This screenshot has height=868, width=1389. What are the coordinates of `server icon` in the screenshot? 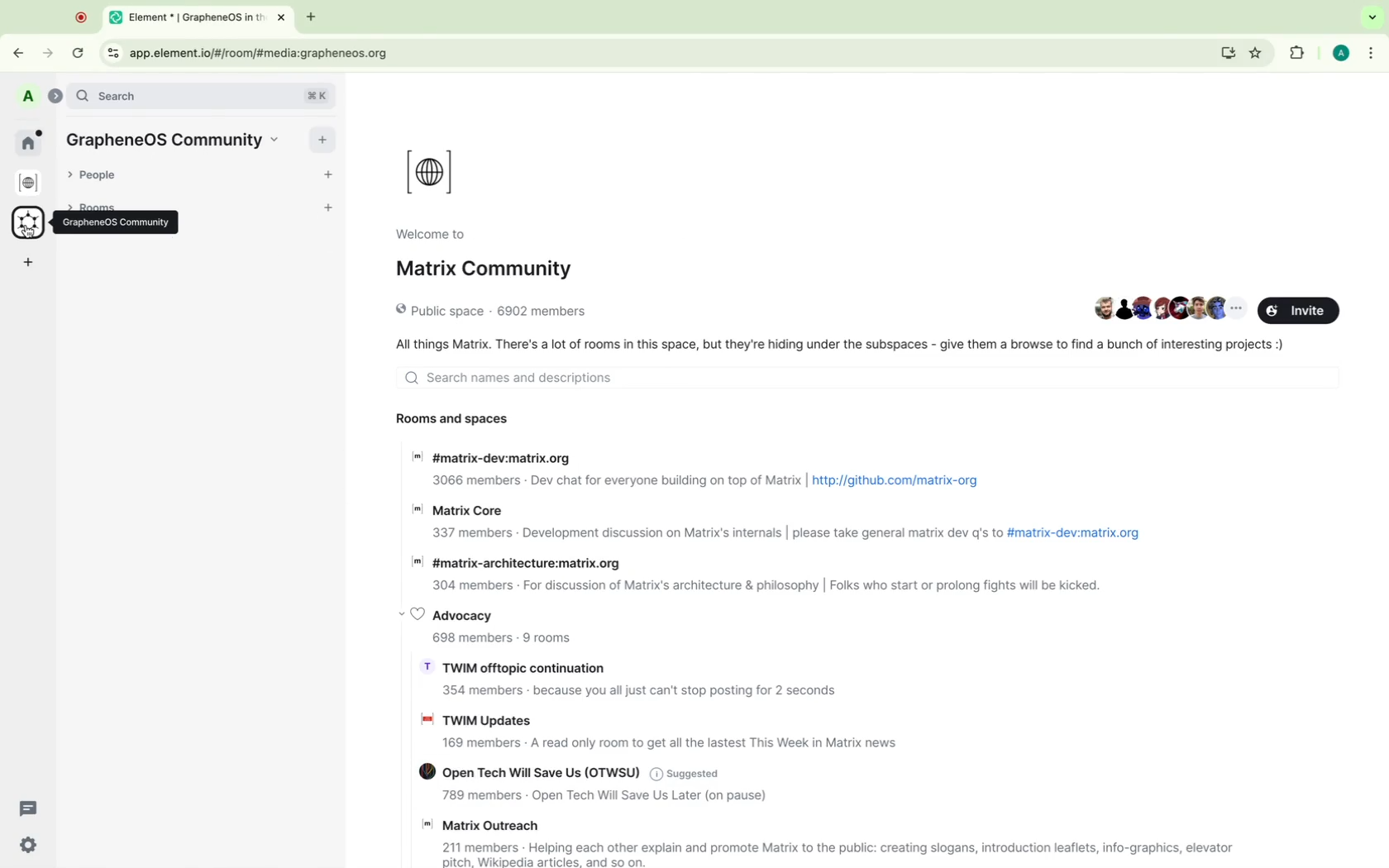 It's located at (29, 225).